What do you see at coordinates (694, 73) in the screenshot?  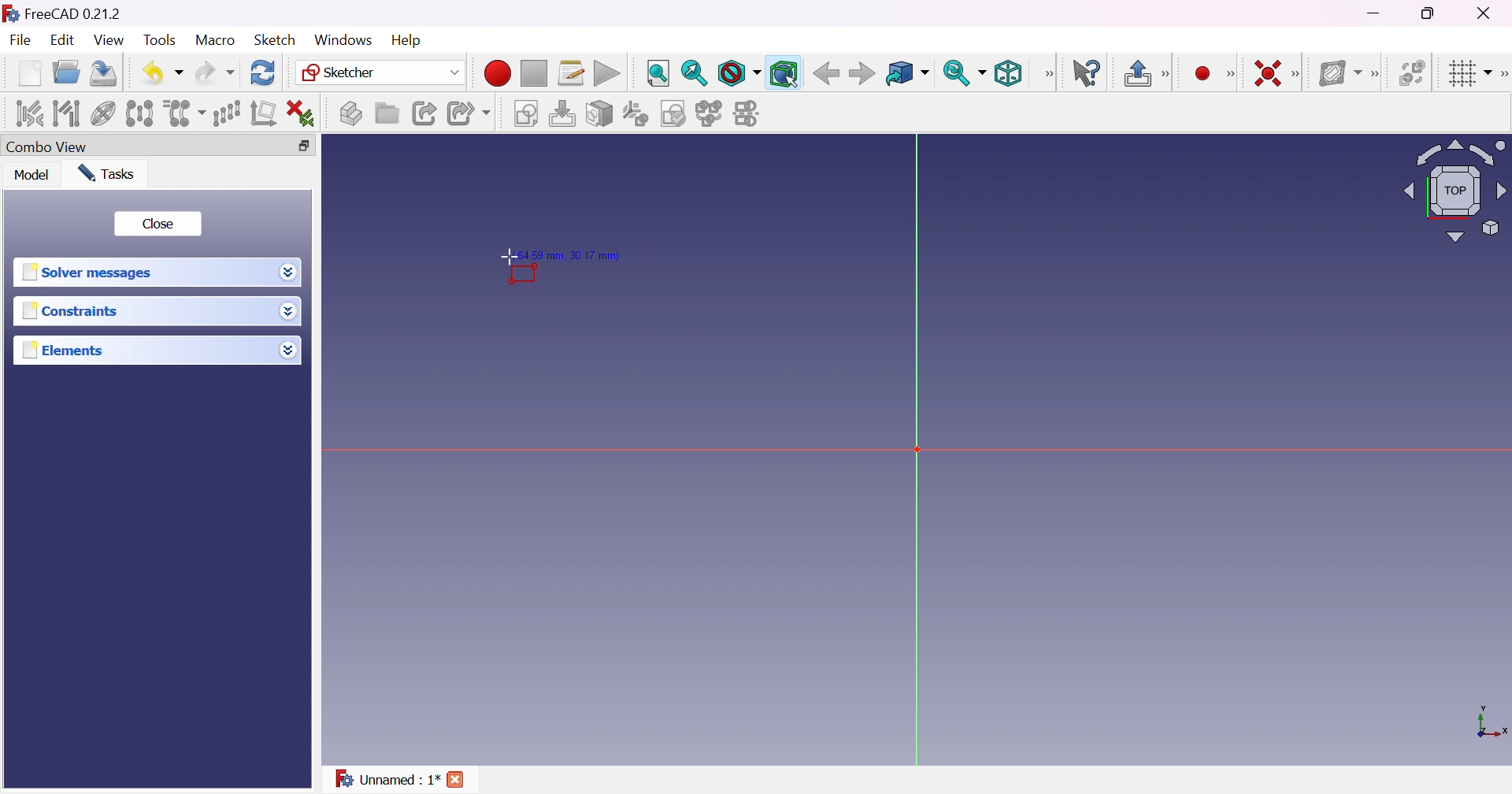 I see `Fit selection` at bounding box center [694, 73].